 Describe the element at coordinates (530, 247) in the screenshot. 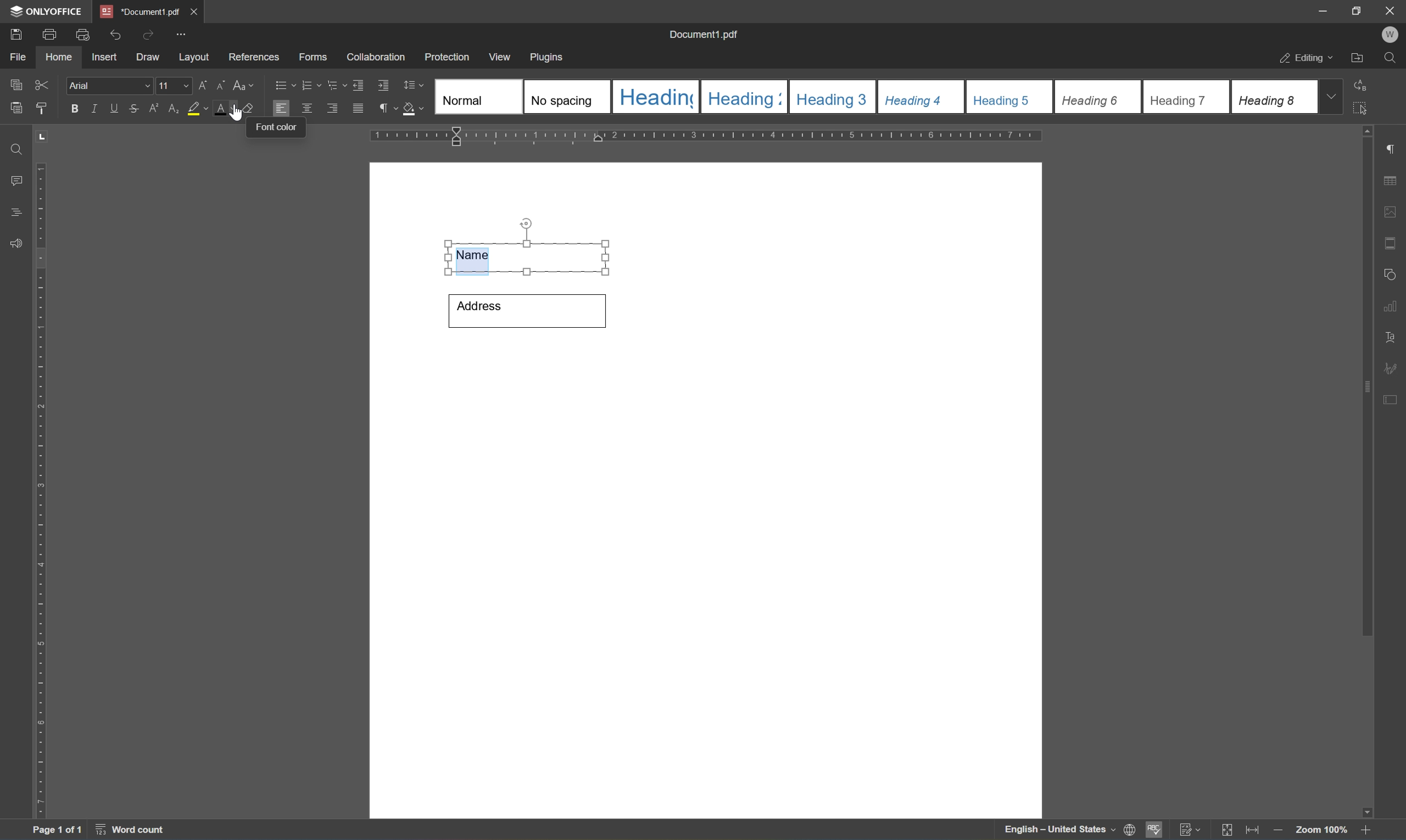

I see `Name` at that location.